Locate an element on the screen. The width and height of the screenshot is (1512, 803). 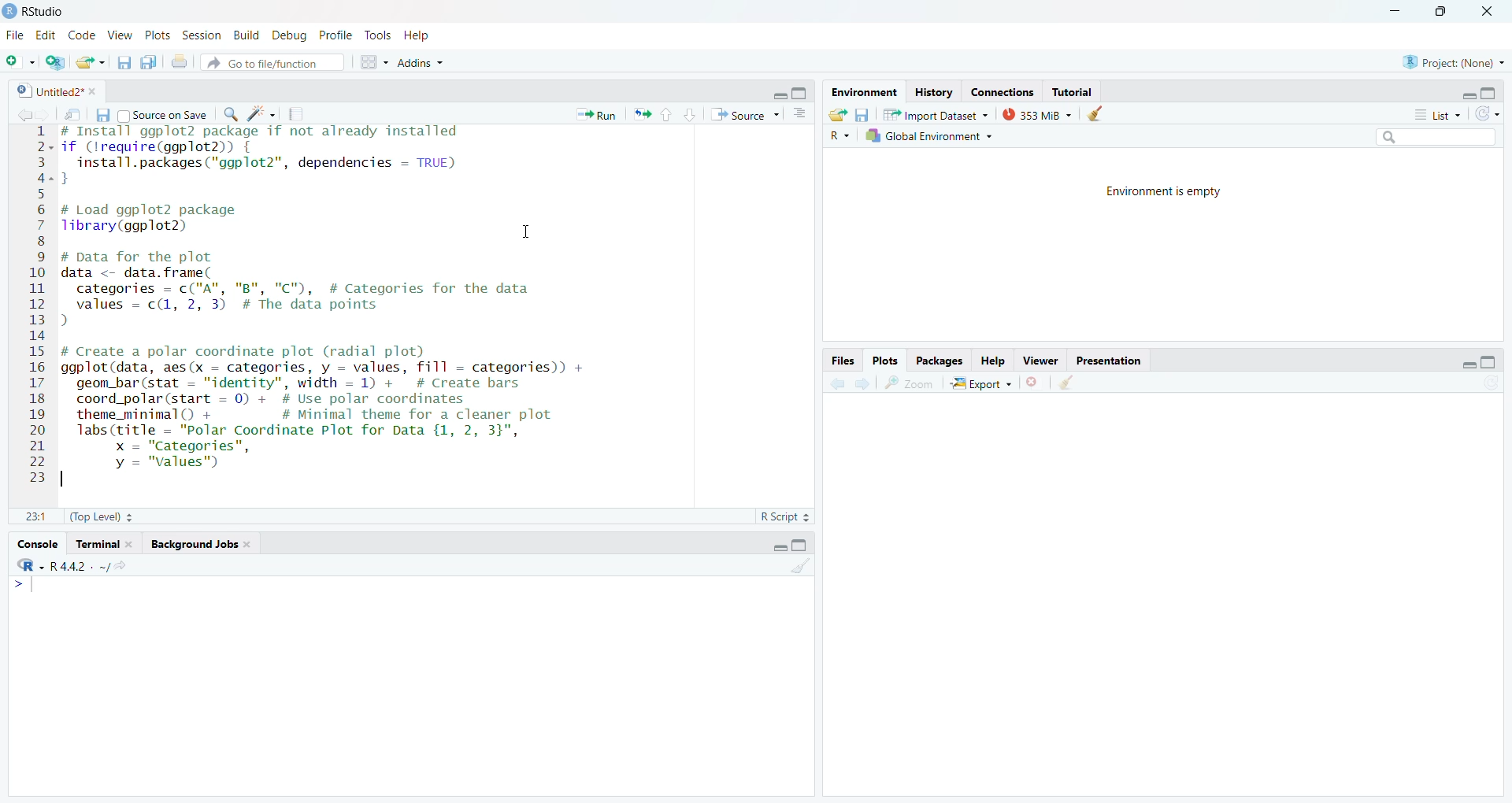
 Goto file/function is located at coordinates (275, 64).